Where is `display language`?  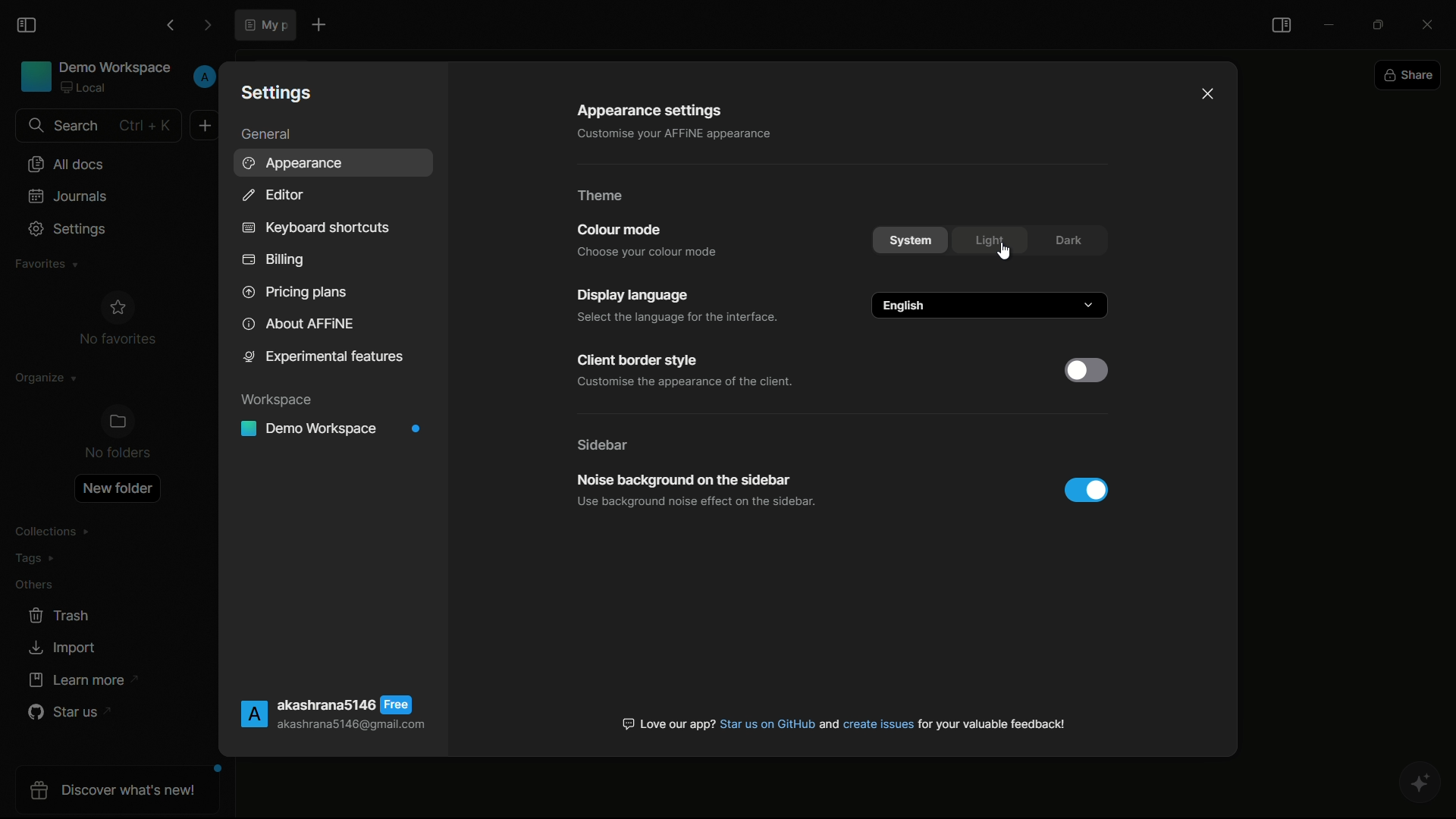
display language is located at coordinates (634, 296).